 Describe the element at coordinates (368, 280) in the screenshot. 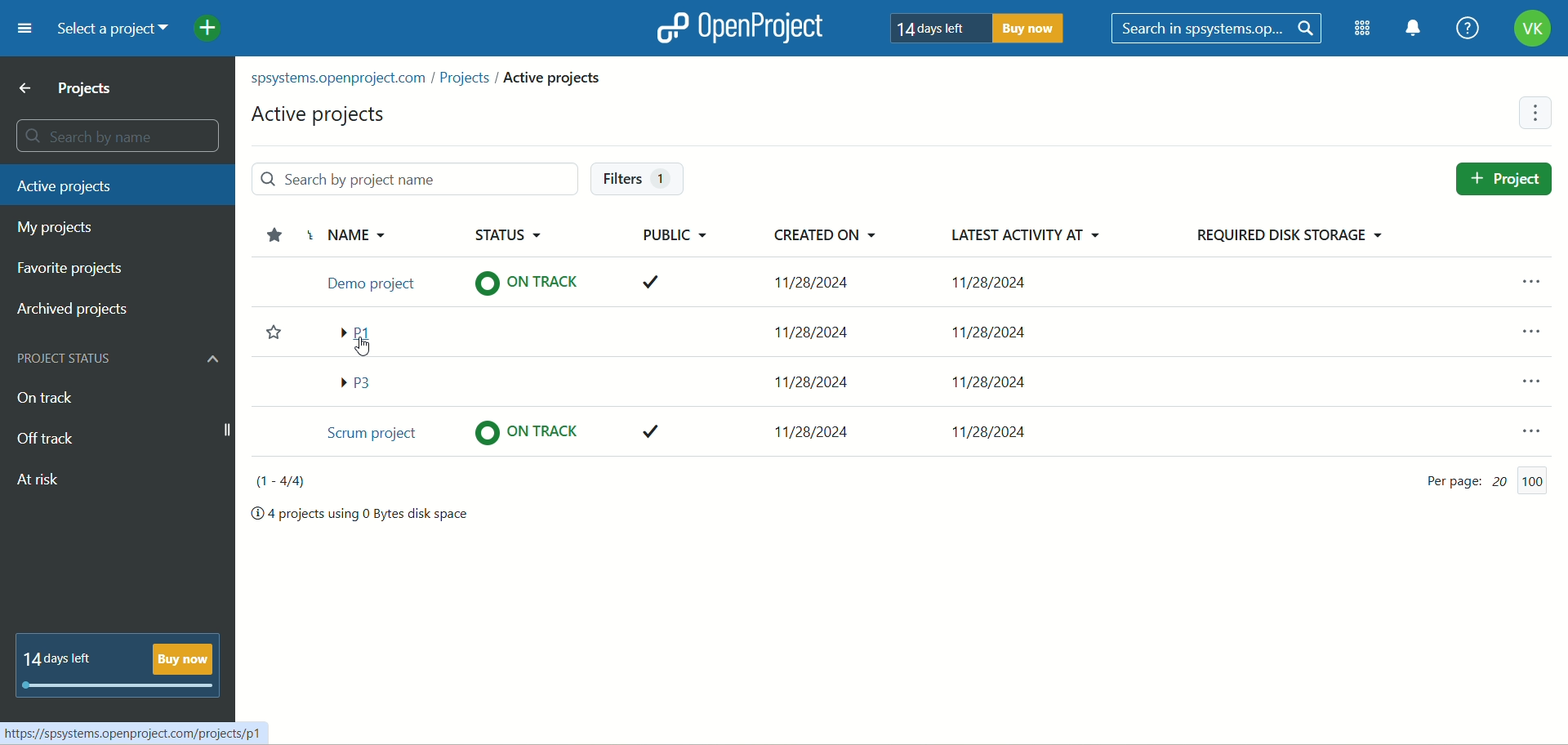

I see `Demo project` at that location.